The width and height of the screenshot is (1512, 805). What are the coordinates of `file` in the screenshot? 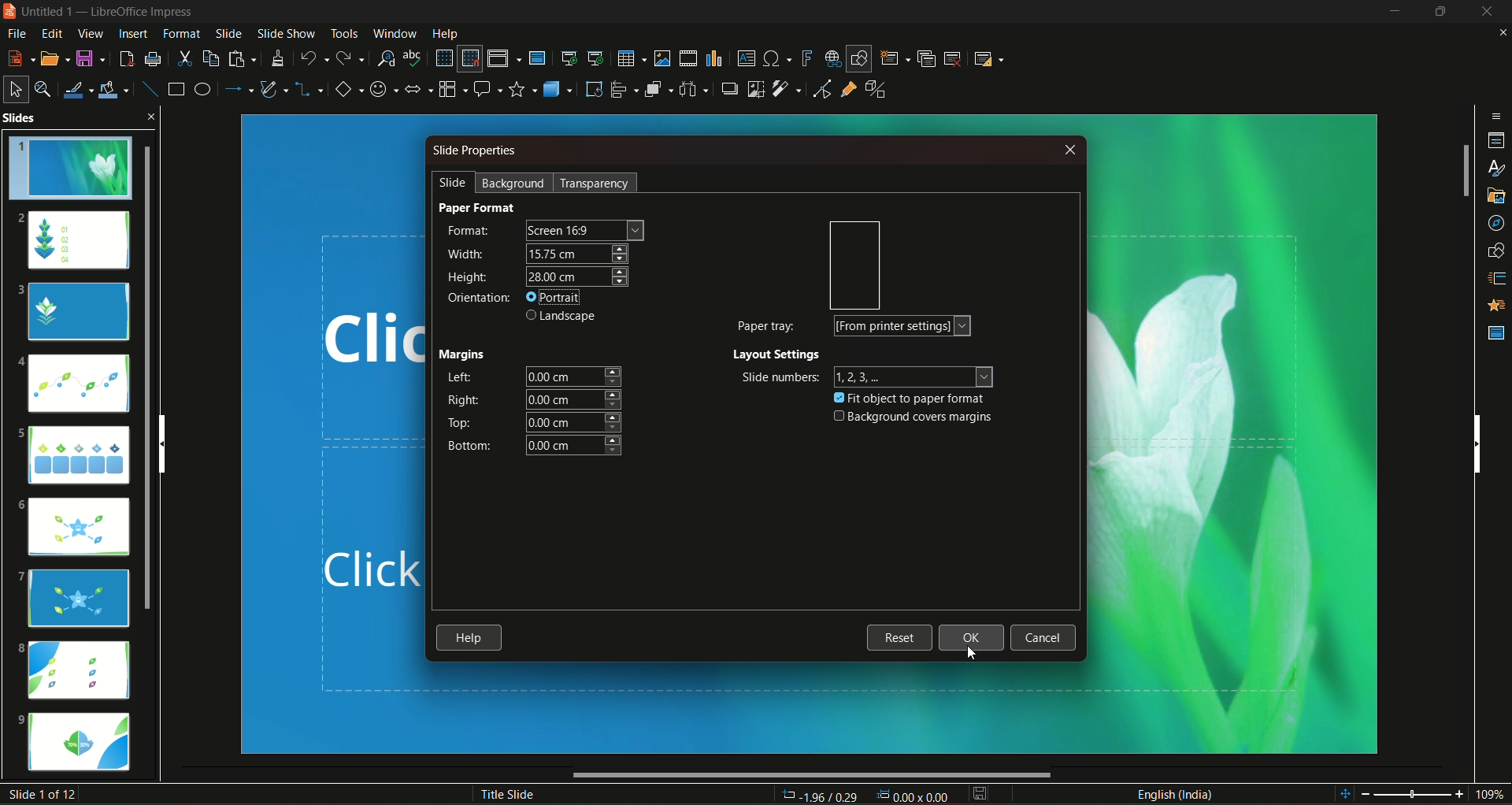 It's located at (18, 33).